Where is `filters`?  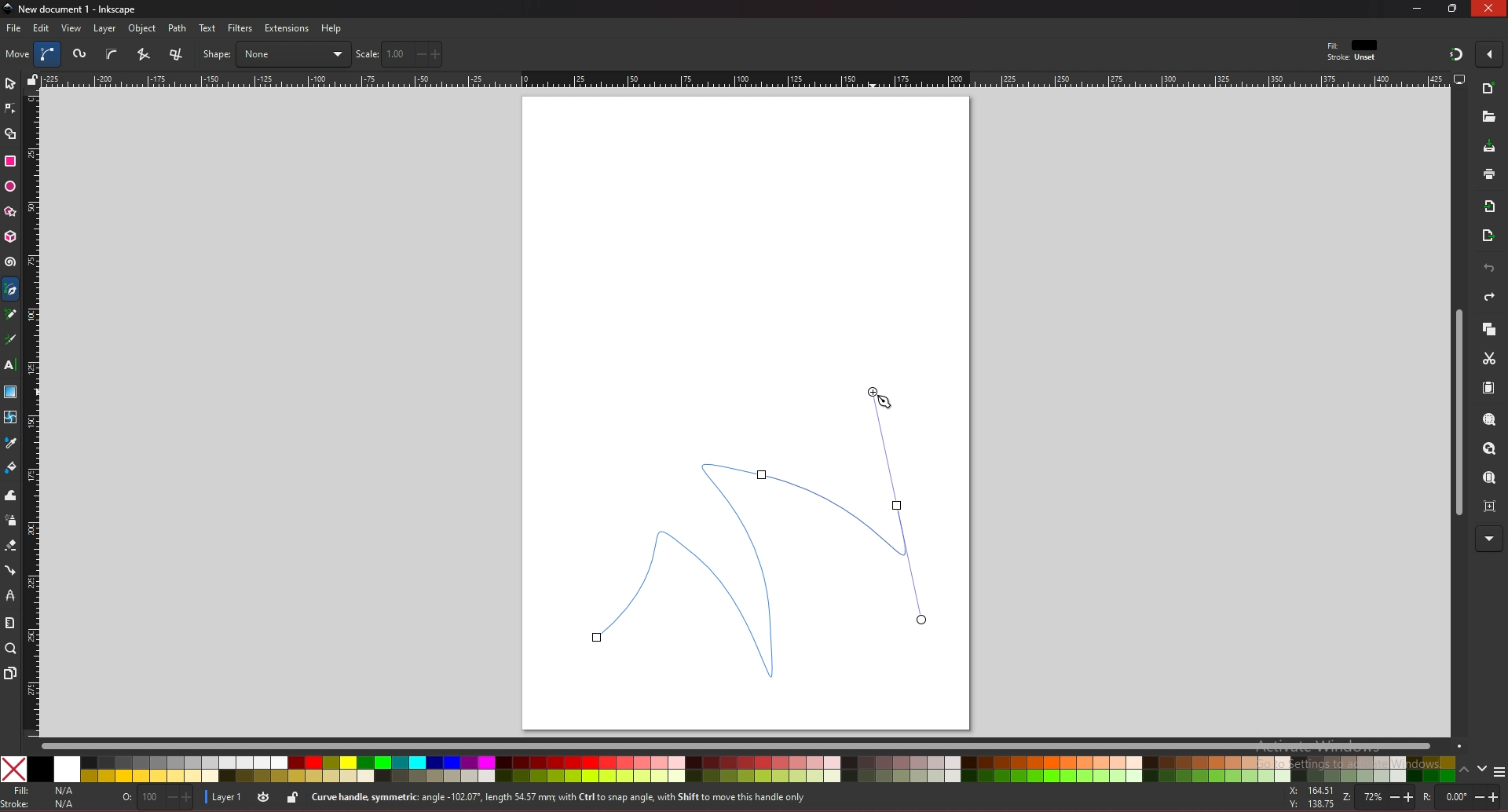
filters is located at coordinates (241, 28).